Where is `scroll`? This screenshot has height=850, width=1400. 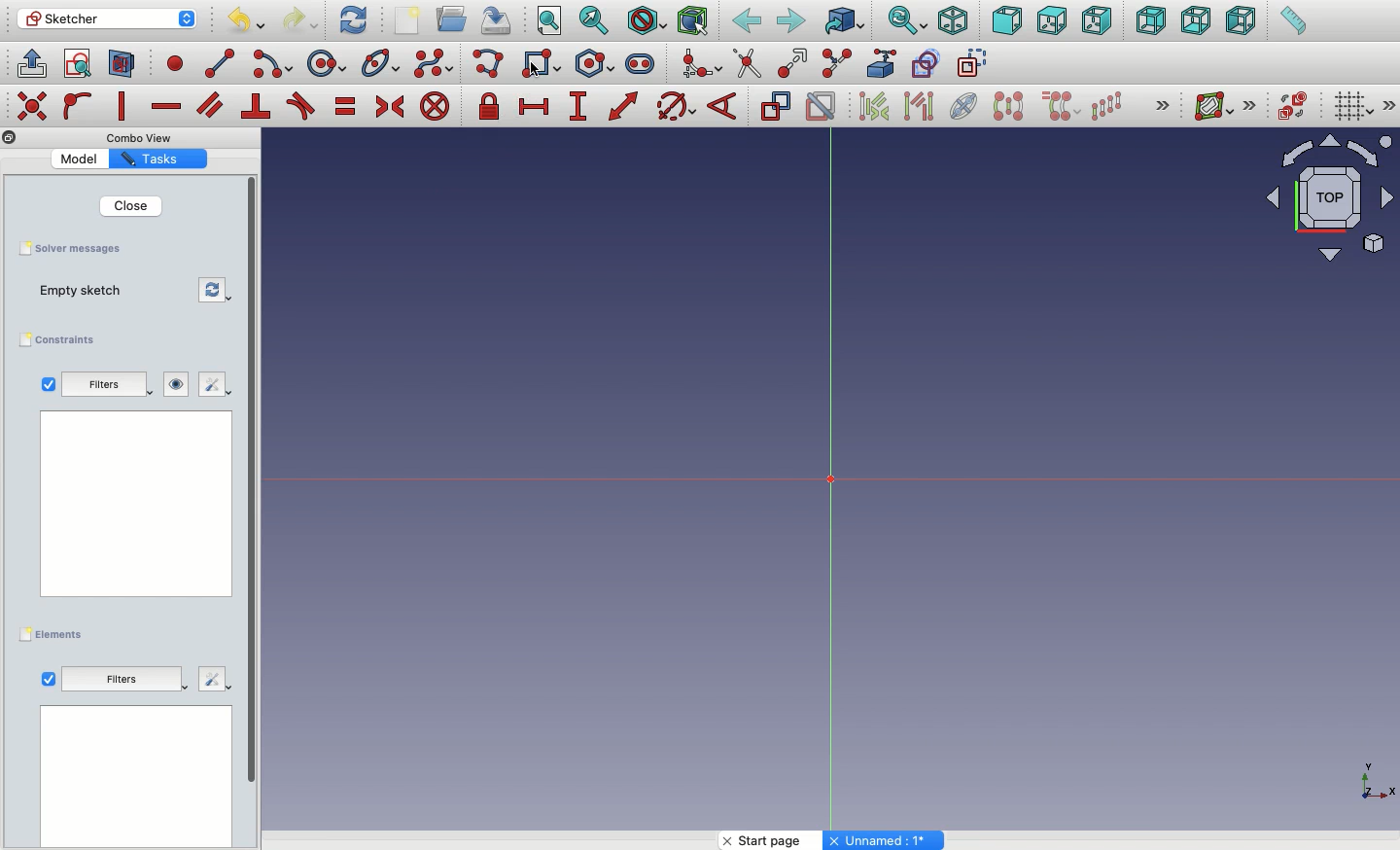
scroll is located at coordinates (254, 511).